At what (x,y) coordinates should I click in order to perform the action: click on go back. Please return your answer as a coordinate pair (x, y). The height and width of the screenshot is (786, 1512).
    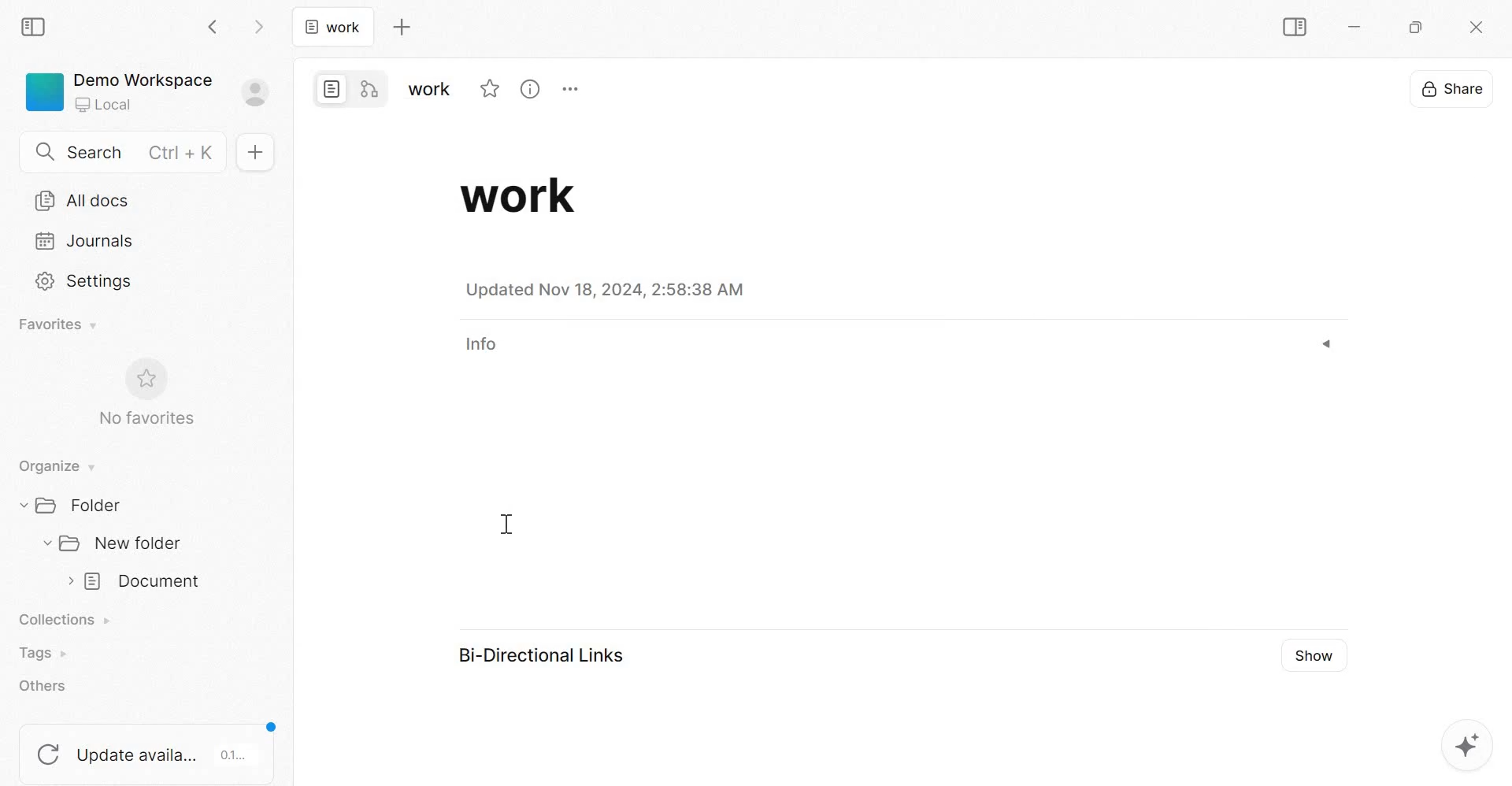
    Looking at the image, I should click on (214, 25).